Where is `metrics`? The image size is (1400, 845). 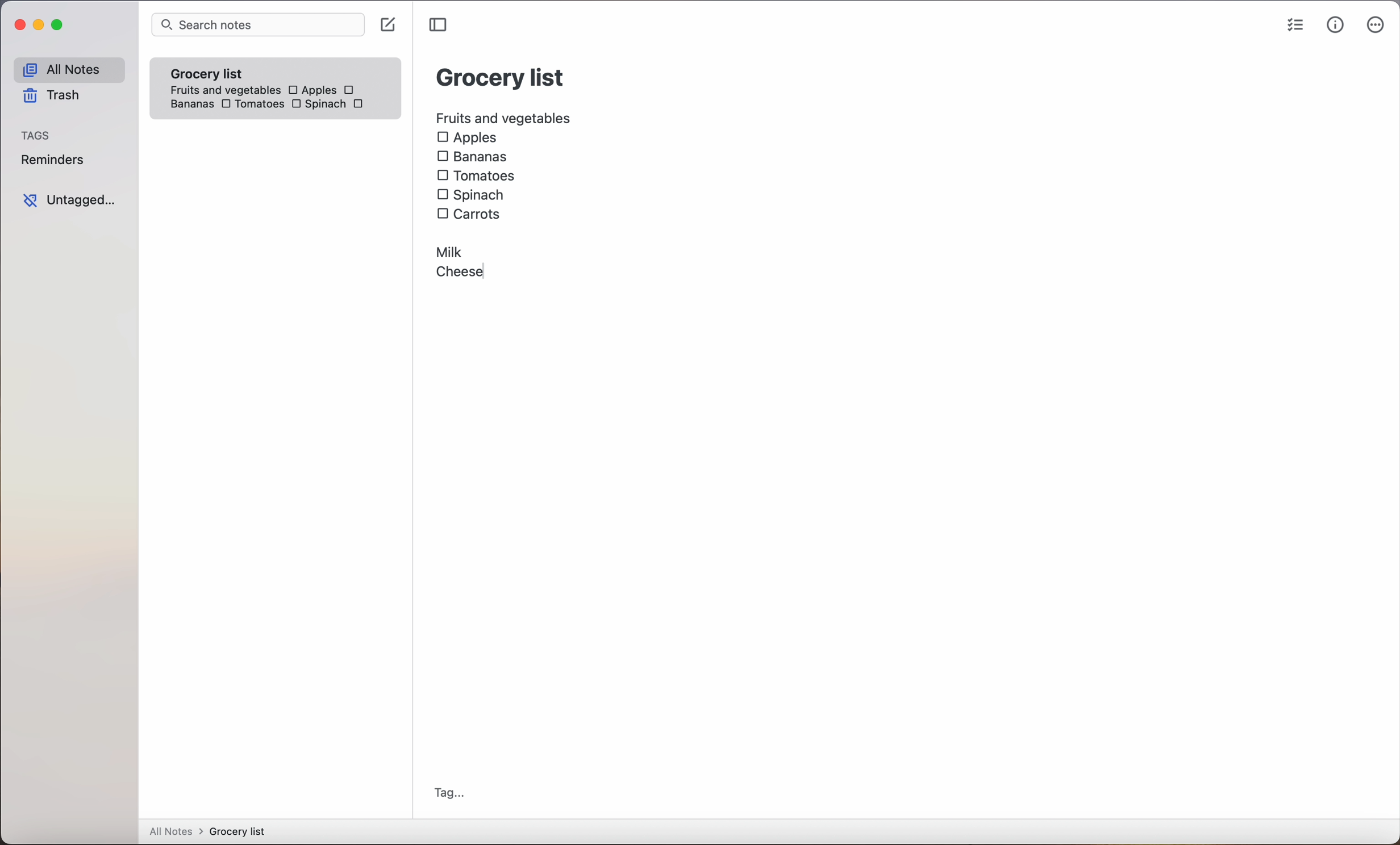 metrics is located at coordinates (1335, 26).